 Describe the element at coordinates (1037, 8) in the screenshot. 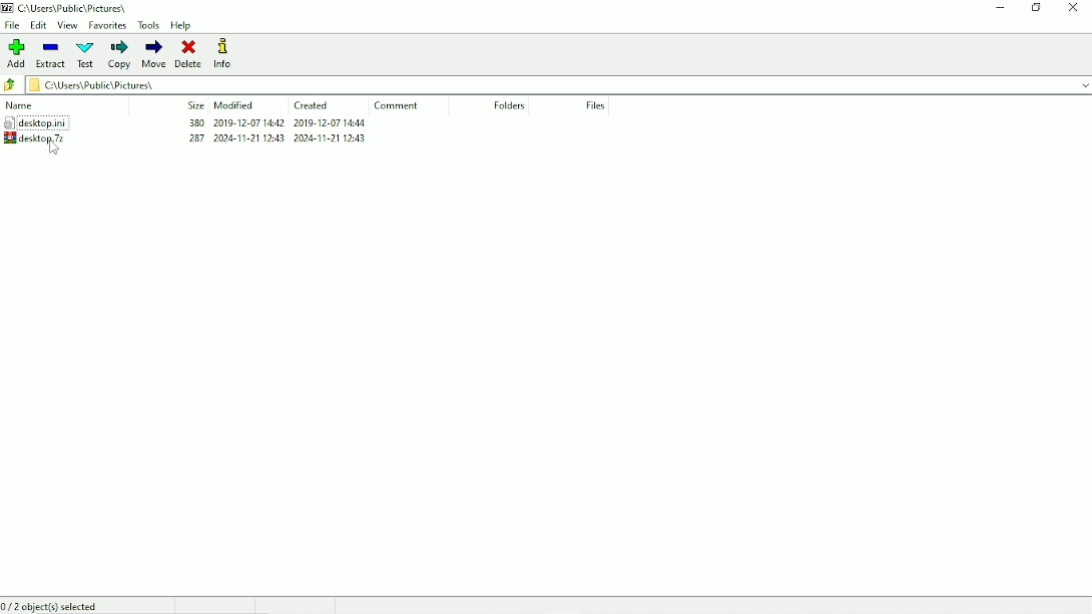

I see `Restore down` at that location.